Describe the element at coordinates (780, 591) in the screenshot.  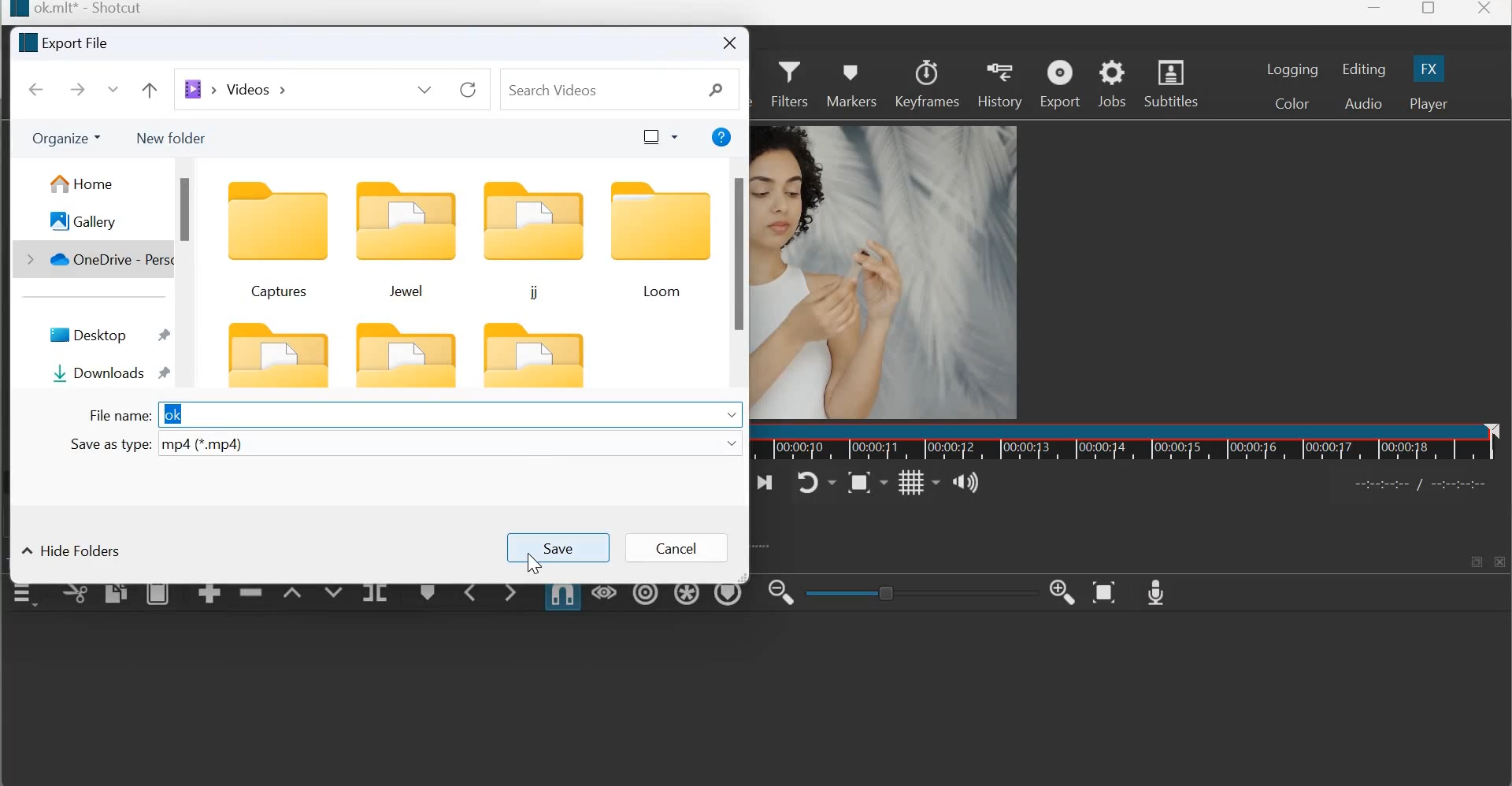
I see `Zoom Timeline out` at that location.